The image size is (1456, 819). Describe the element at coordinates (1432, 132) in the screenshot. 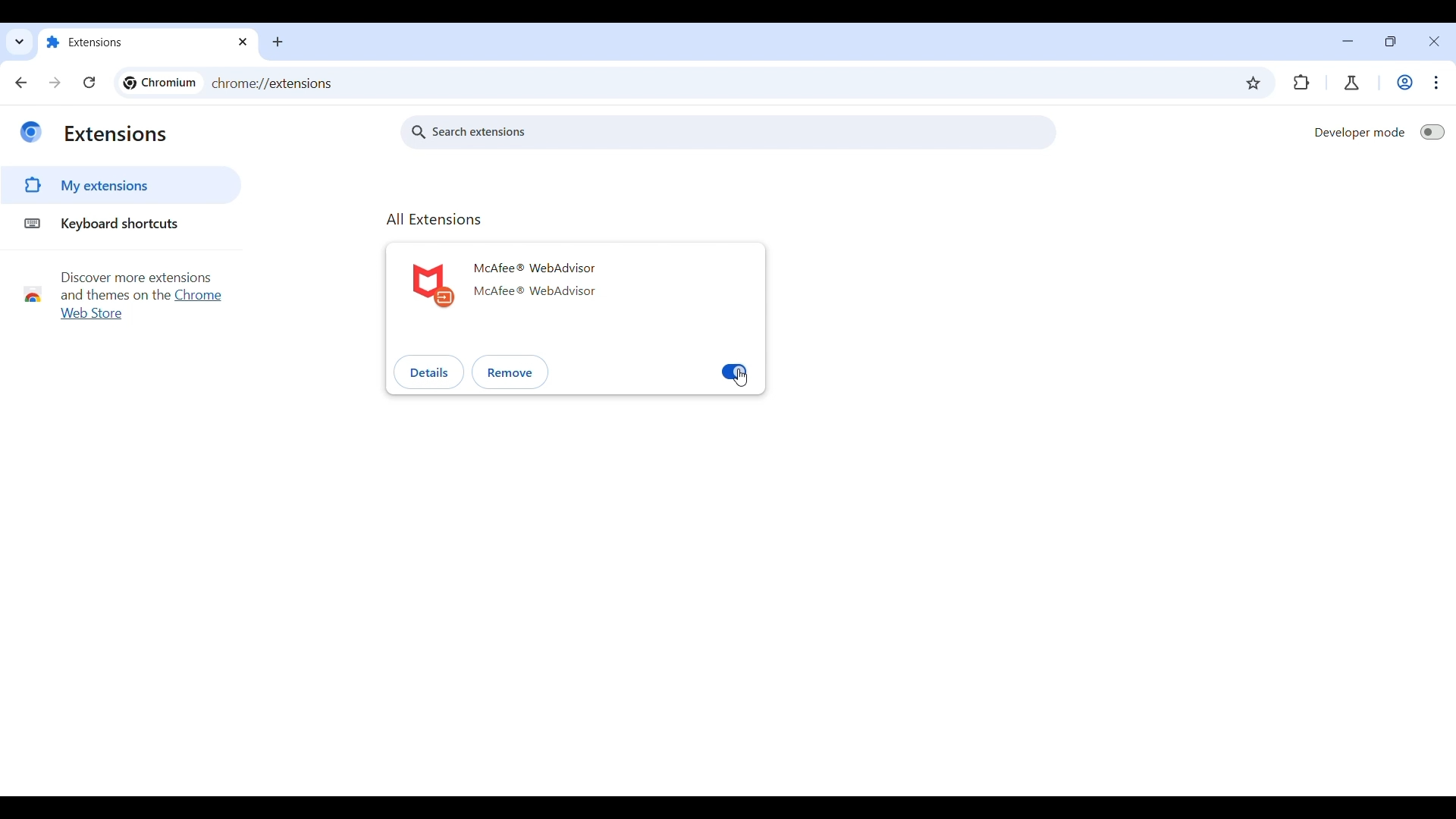

I see `Toggle on to switch to Developer mode` at that location.